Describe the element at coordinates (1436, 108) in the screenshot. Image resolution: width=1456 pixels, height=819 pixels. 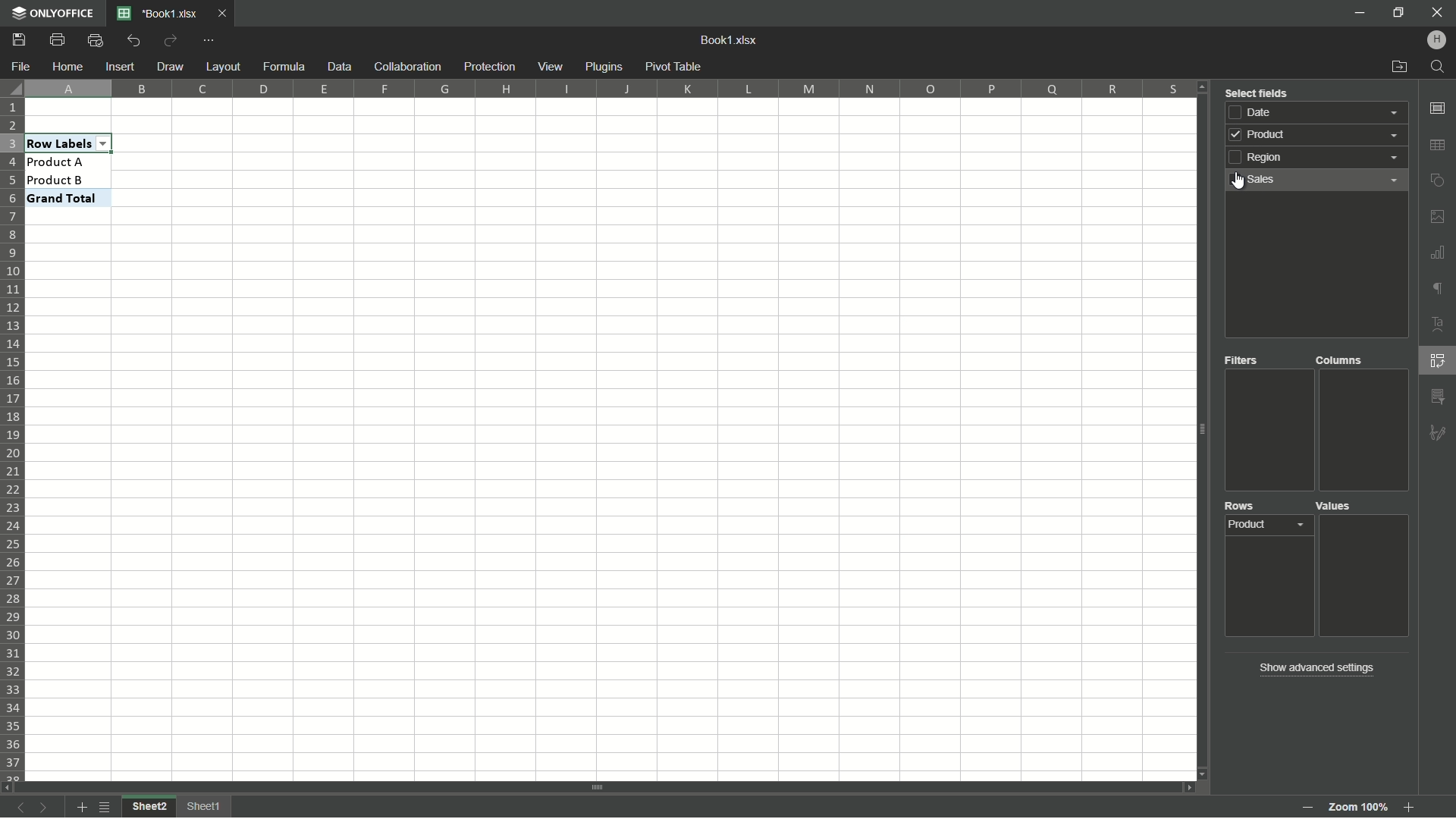
I see `cell settings` at that location.